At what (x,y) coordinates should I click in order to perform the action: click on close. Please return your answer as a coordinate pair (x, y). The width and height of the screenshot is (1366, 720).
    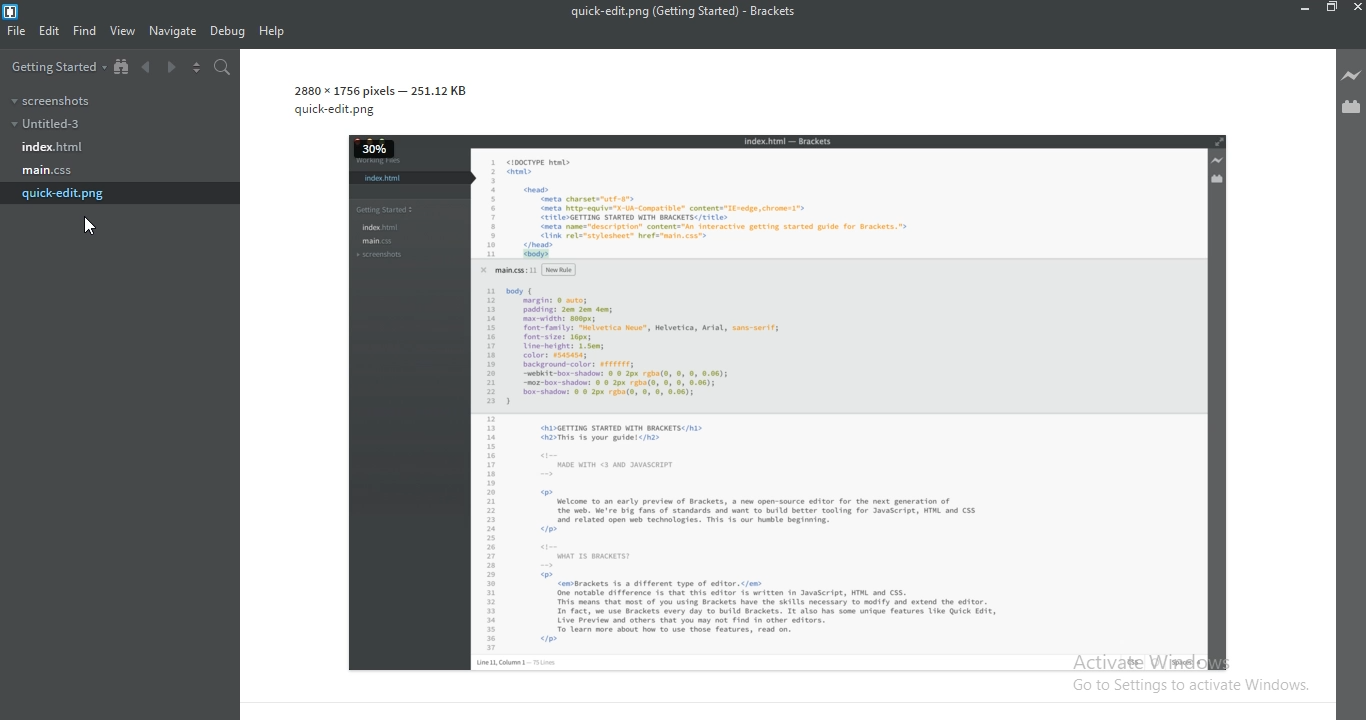
    Looking at the image, I should click on (1357, 8).